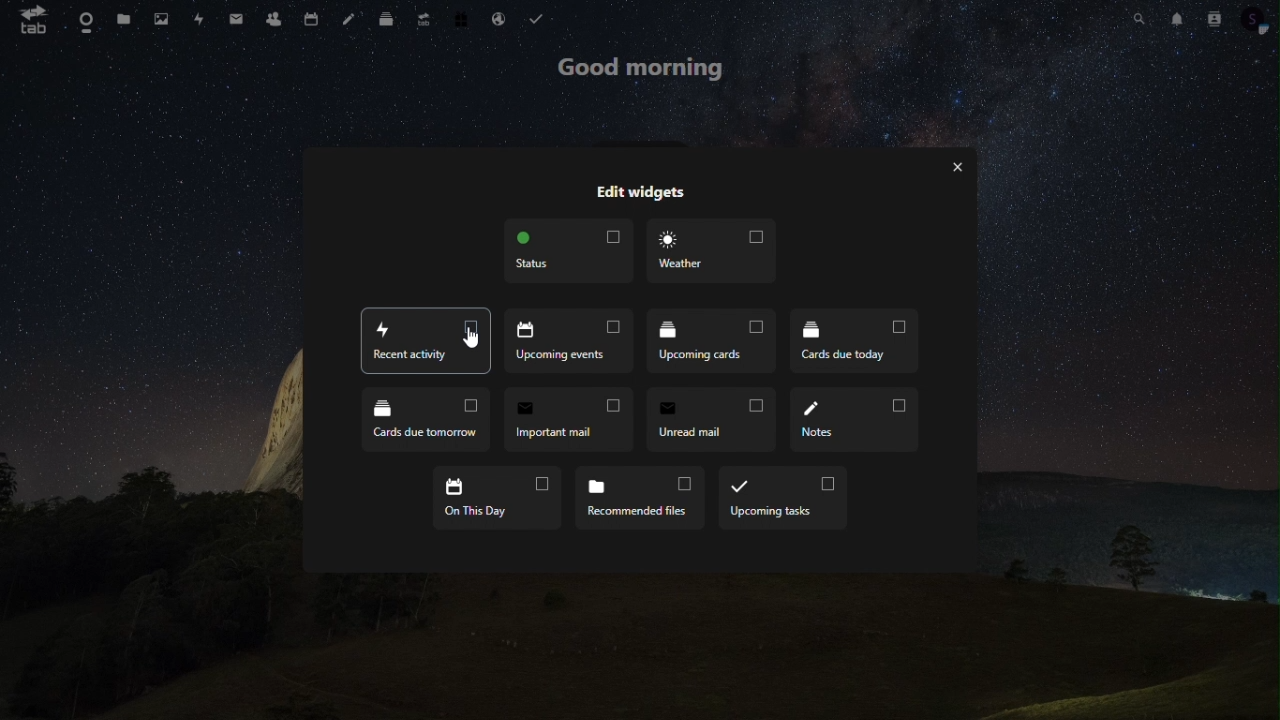  Describe the element at coordinates (709, 251) in the screenshot. I see `weather` at that location.